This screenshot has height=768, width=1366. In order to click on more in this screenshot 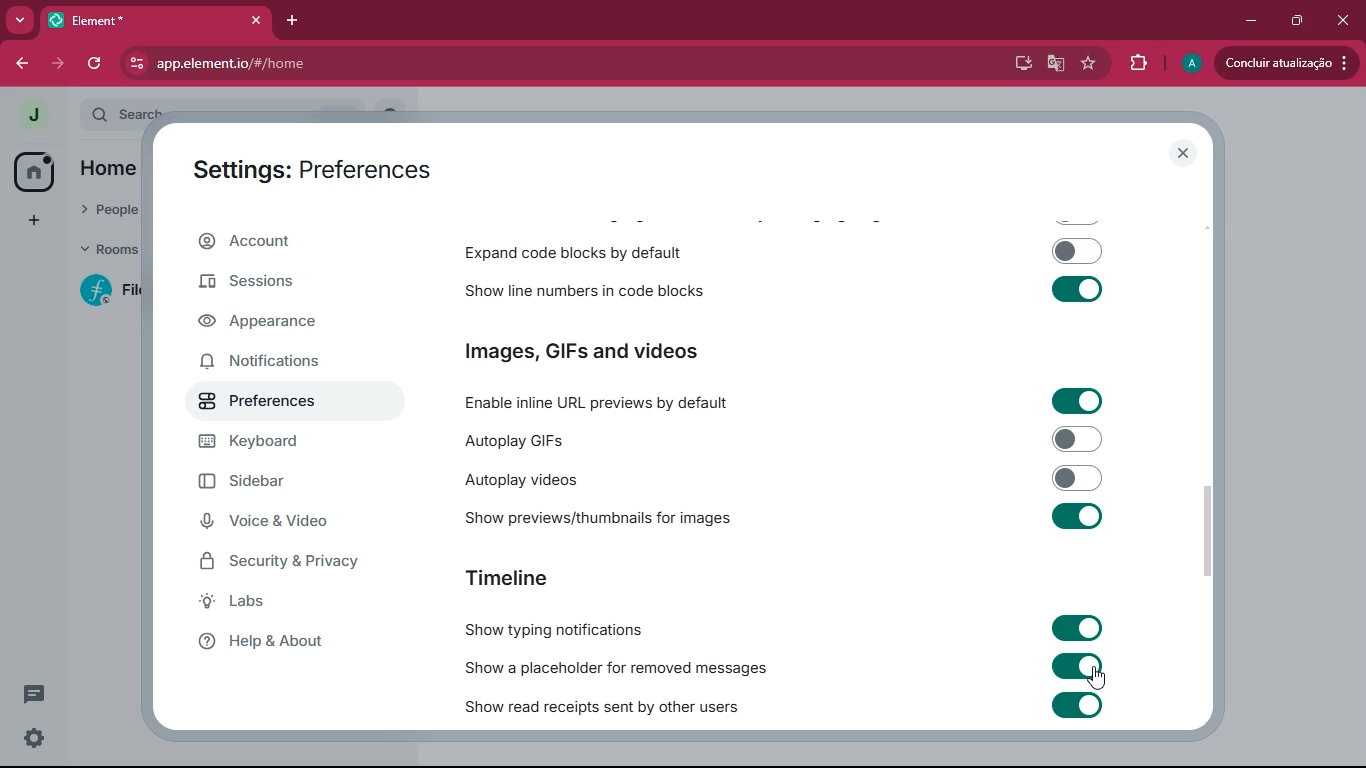, I will do `click(16, 21)`.